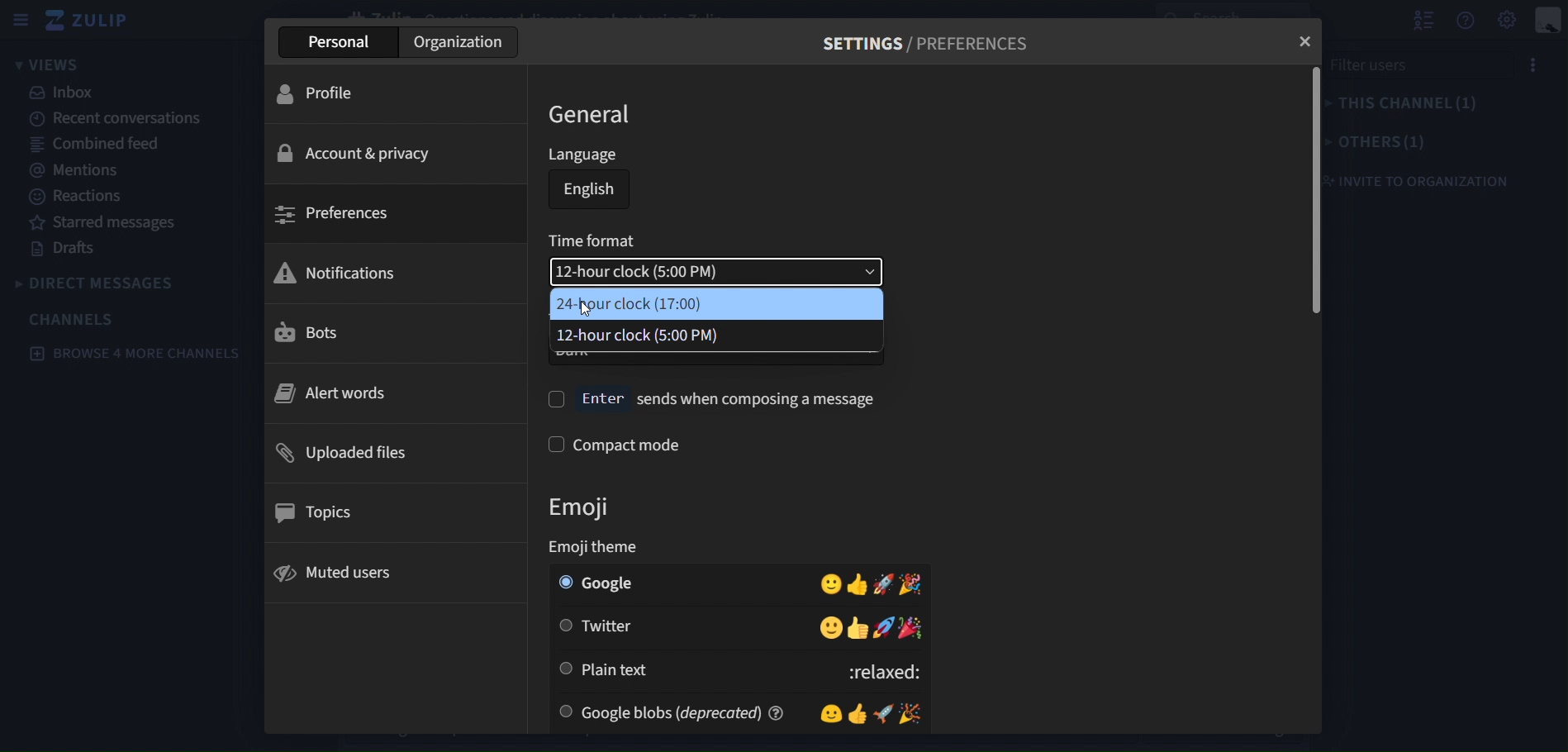 The width and height of the screenshot is (1568, 752). I want to click on this channel(1), so click(1407, 103).